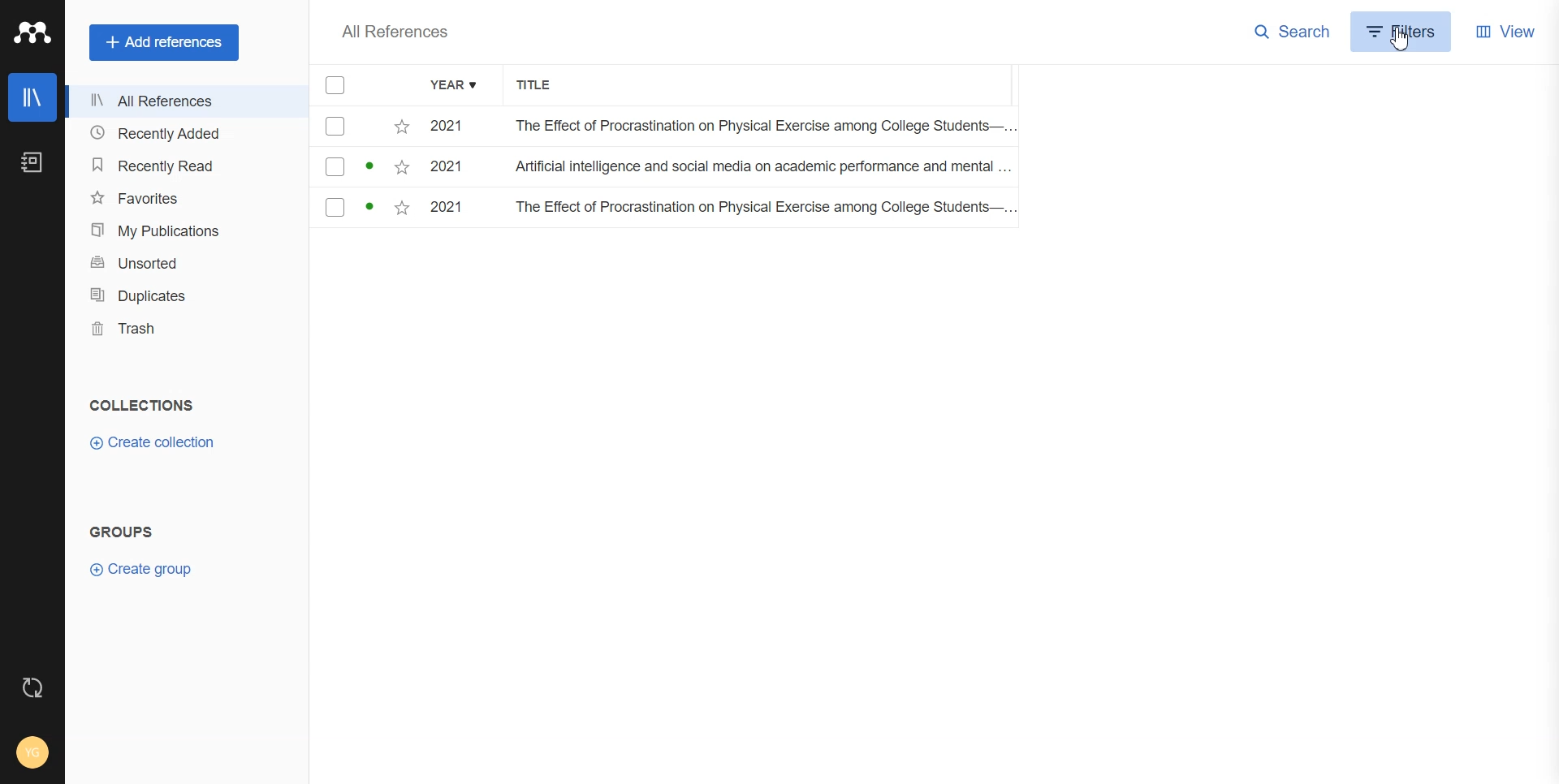 The width and height of the screenshot is (1559, 784). What do you see at coordinates (32, 752) in the screenshot?
I see `Account` at bounding box center [32, 752].